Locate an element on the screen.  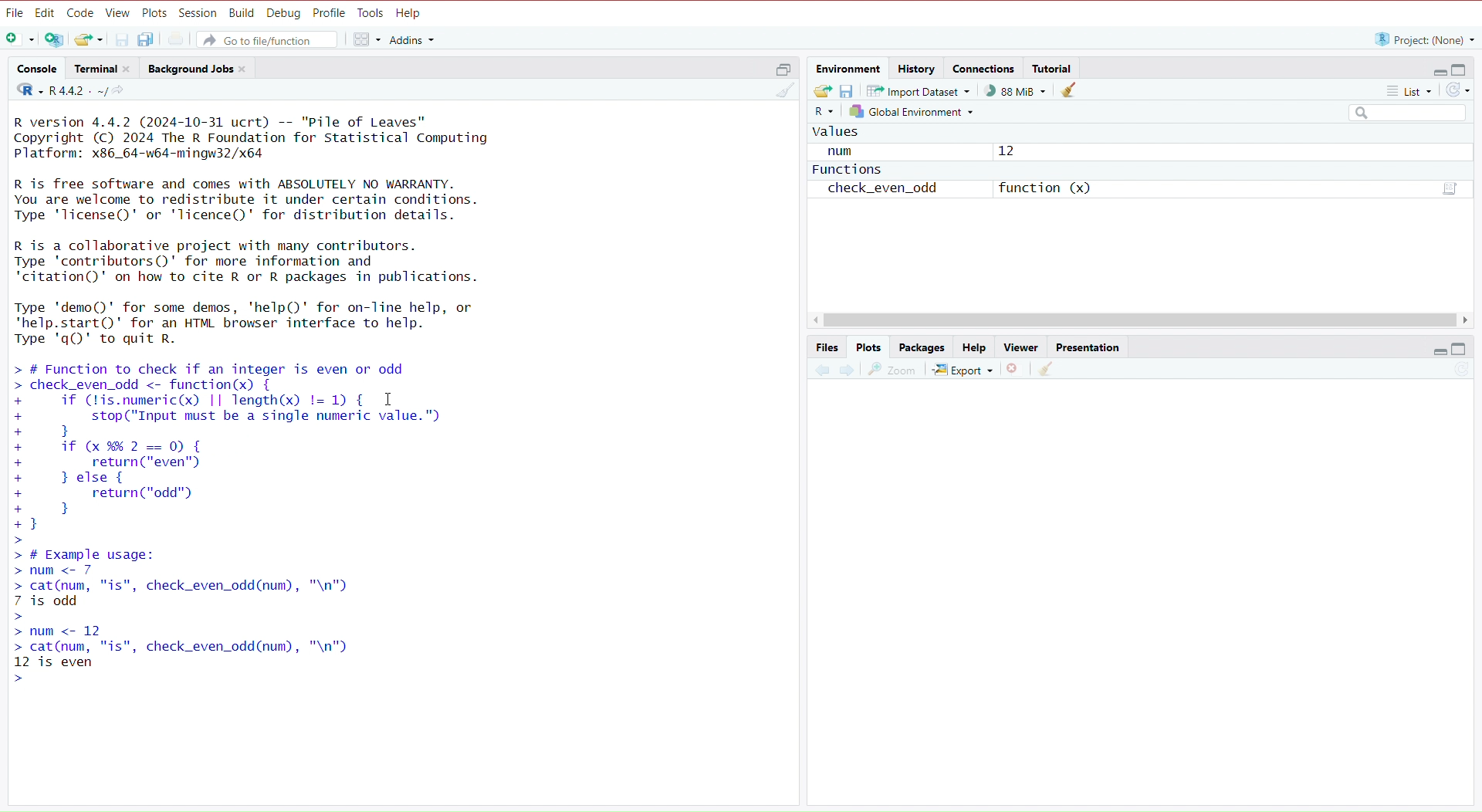
function(x) is located at coordinates (1044, 188).